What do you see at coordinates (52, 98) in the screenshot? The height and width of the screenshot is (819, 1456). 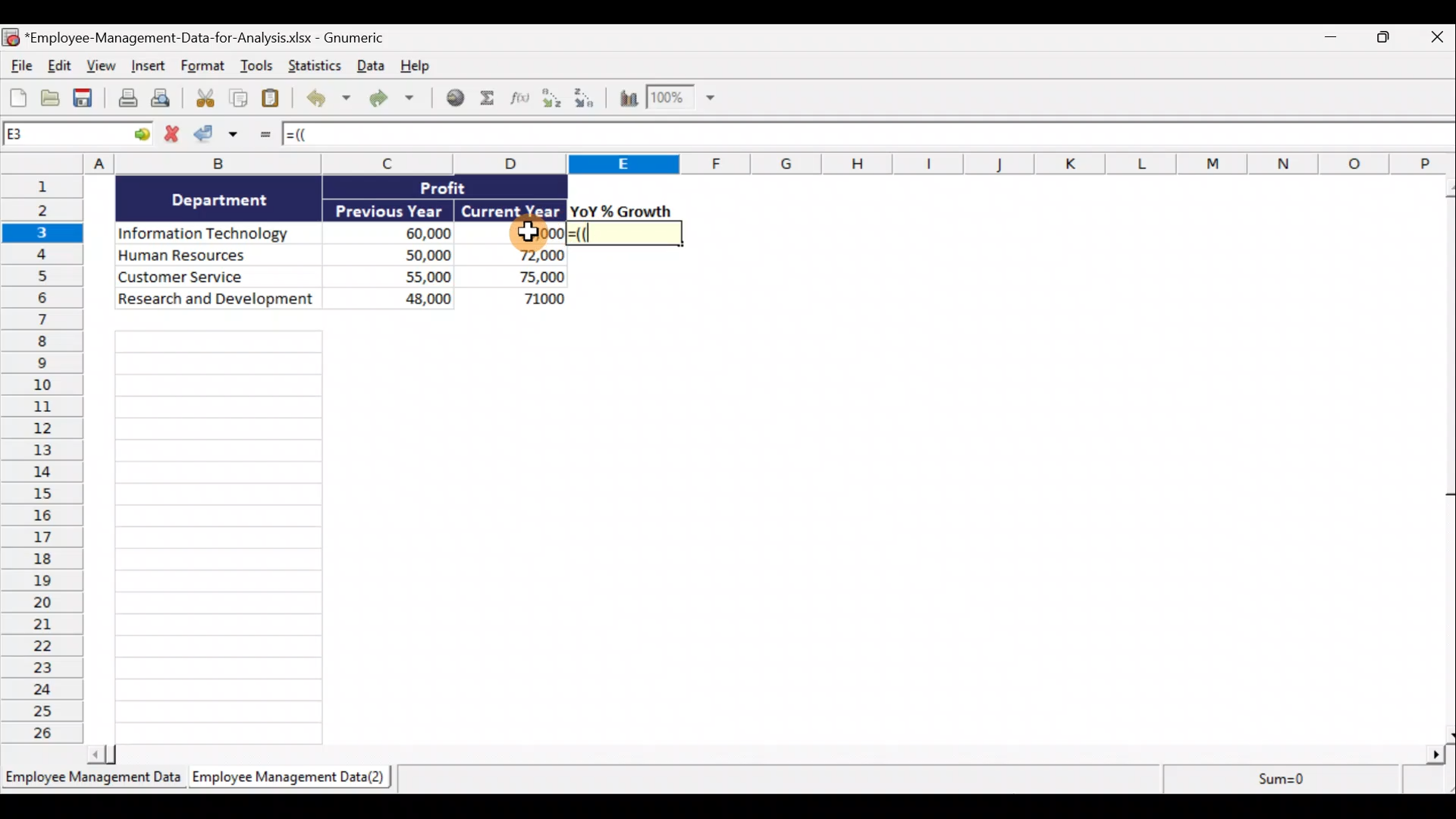 I see `Open a file` at bounding box center [52, 98].